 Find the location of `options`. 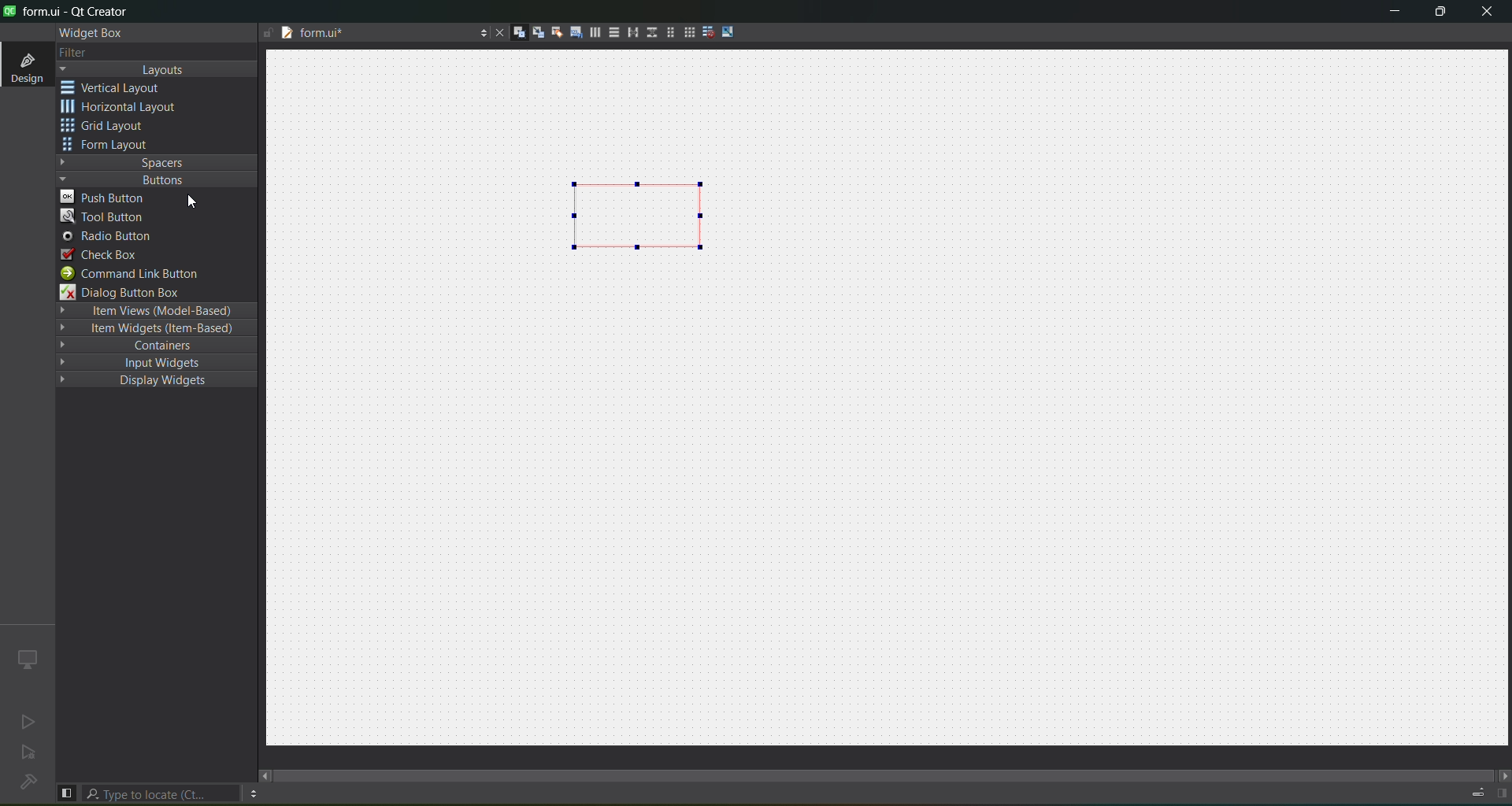

options is located at coordinates (253, 793).